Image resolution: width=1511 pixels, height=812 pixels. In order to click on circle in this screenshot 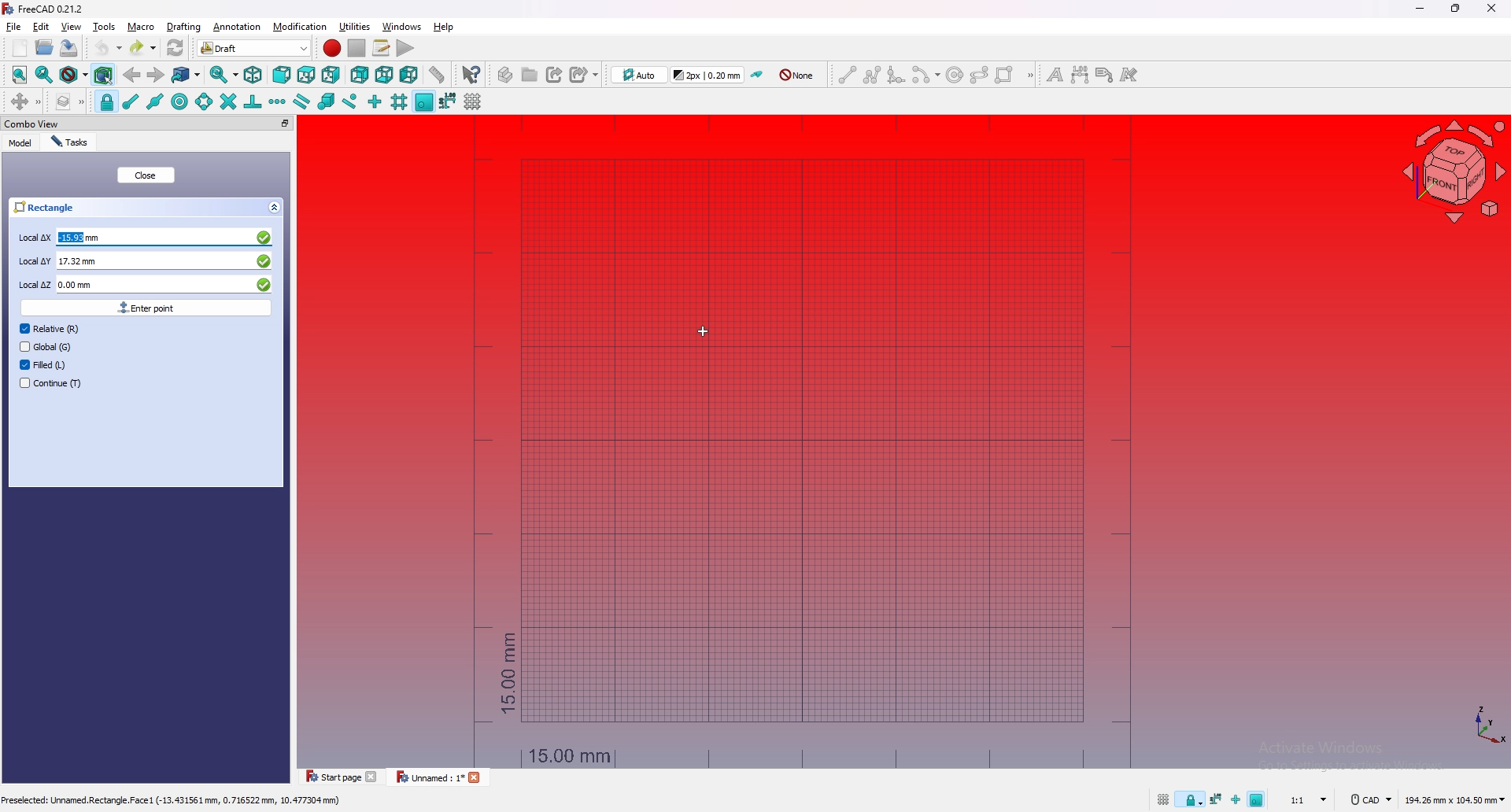, I will do `click(954, 74)`.